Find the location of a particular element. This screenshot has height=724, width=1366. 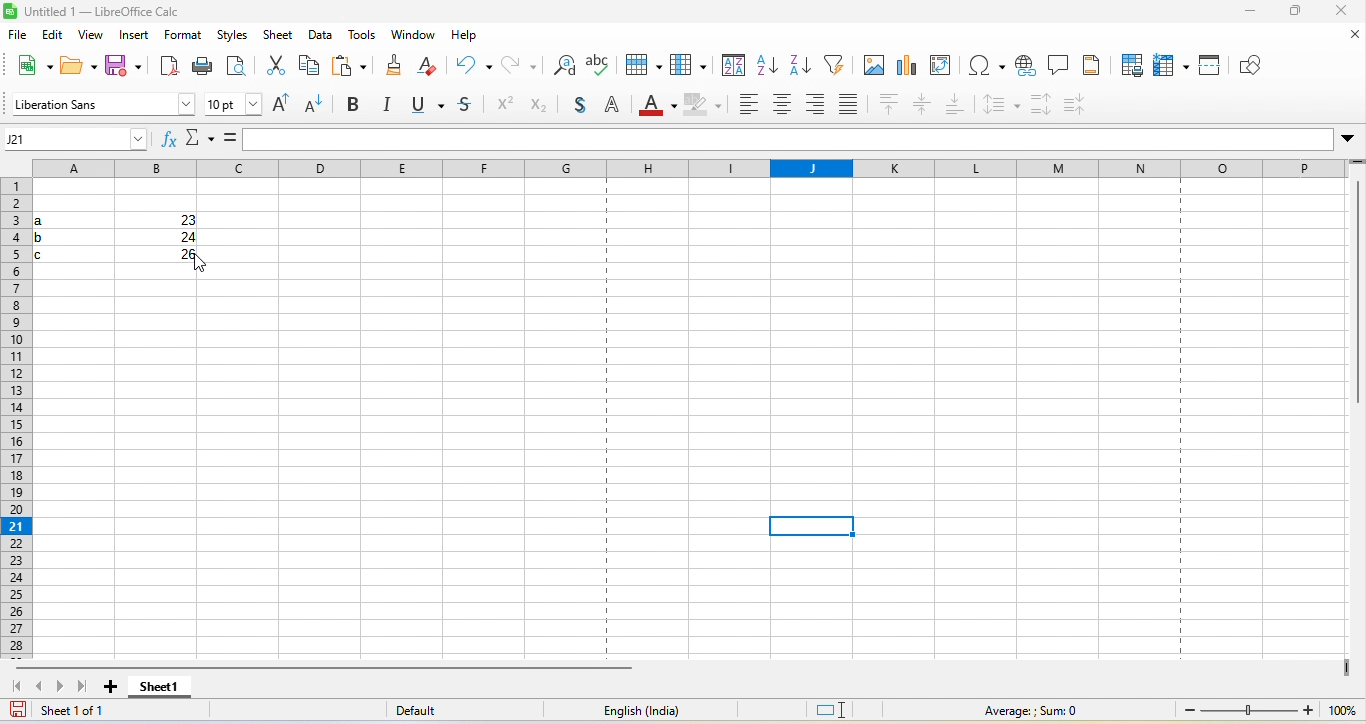

redo is located at coordinates (520, 65).